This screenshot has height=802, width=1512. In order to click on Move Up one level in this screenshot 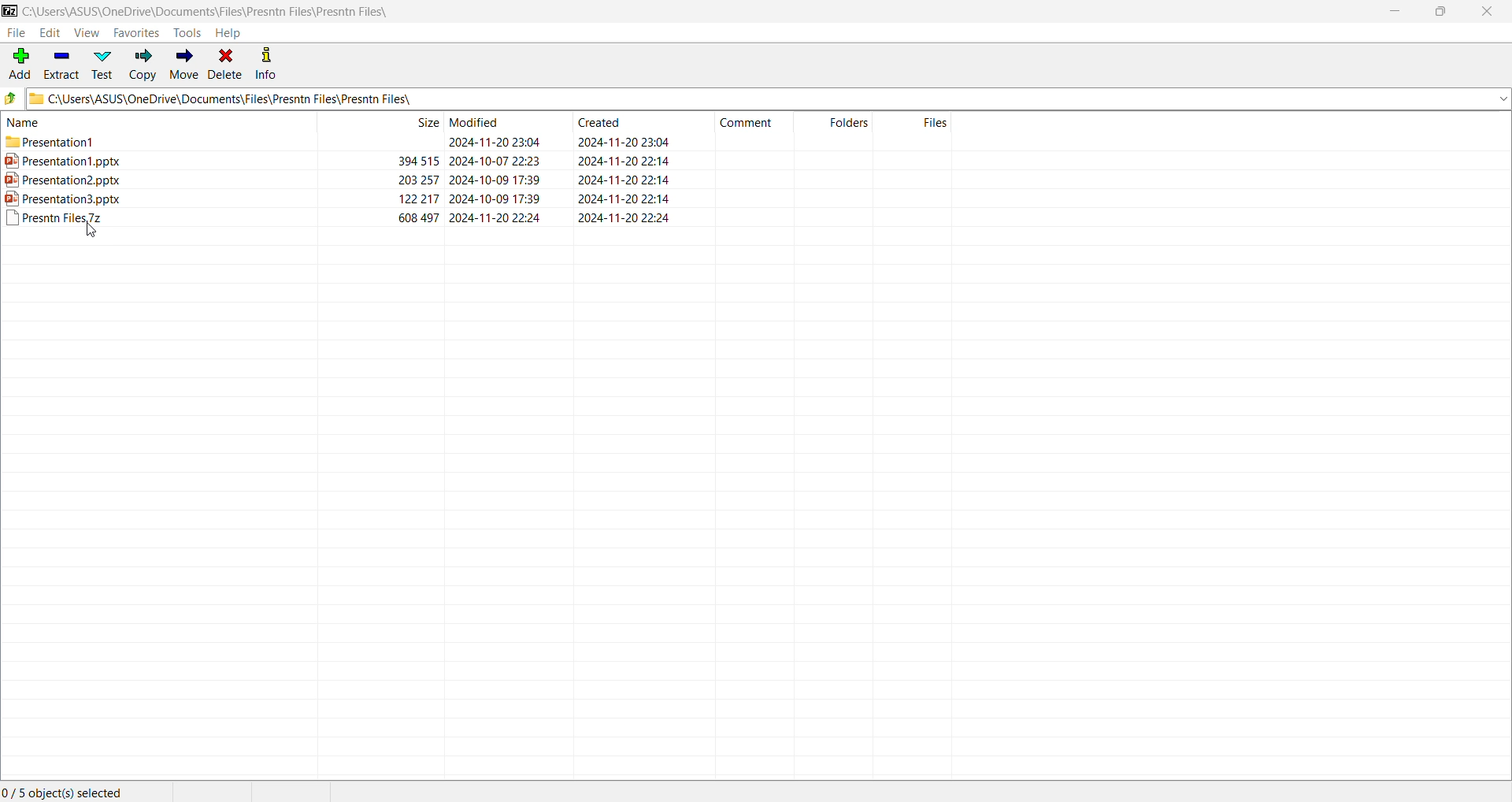, I will do `click(13, 98)`.